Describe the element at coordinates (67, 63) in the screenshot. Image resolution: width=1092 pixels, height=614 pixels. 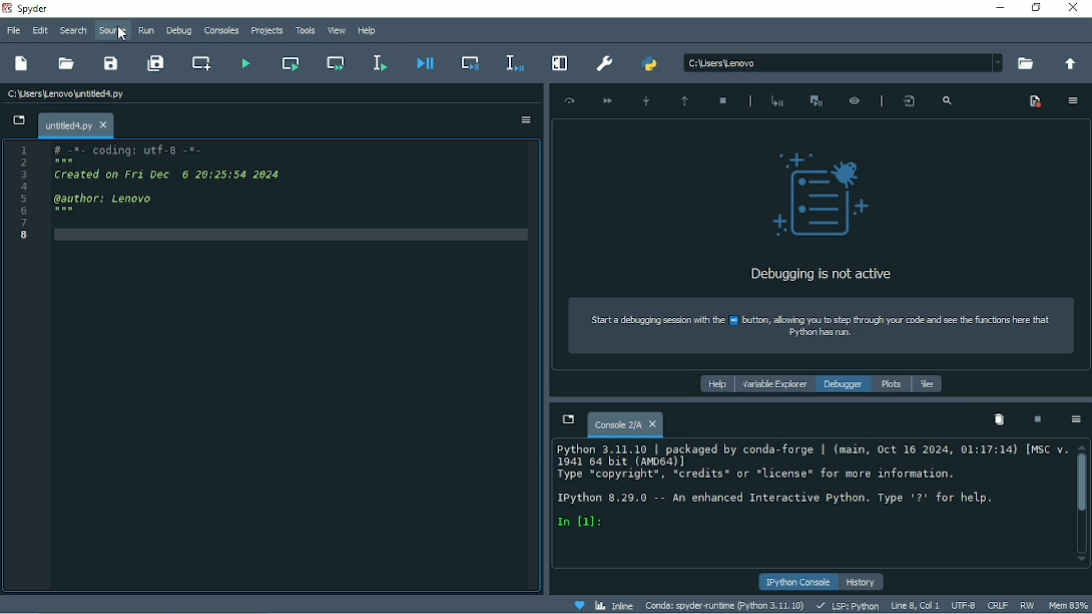
I see `Open file` at that location.